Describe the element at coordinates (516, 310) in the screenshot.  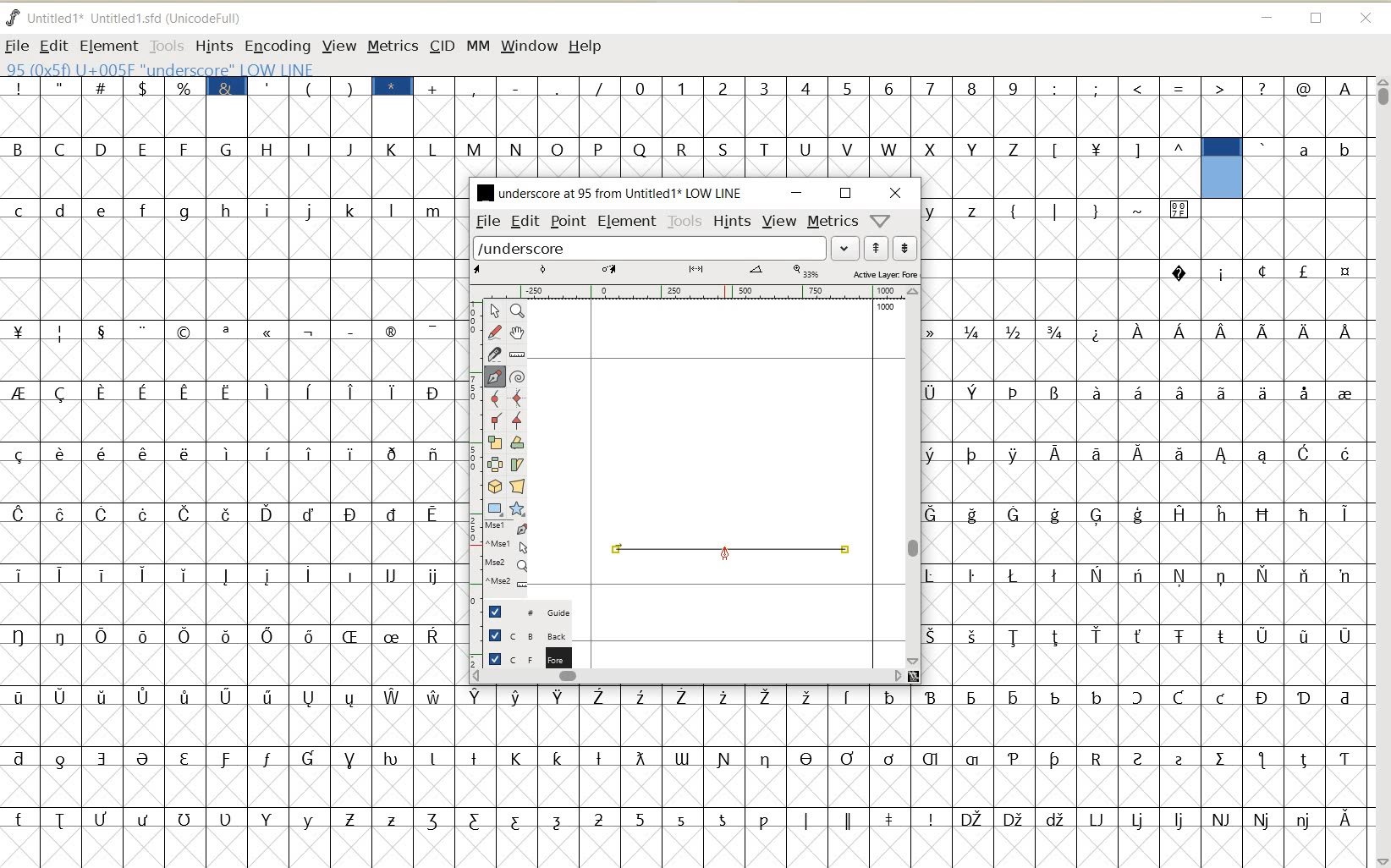
I see `Magnify` at that location.